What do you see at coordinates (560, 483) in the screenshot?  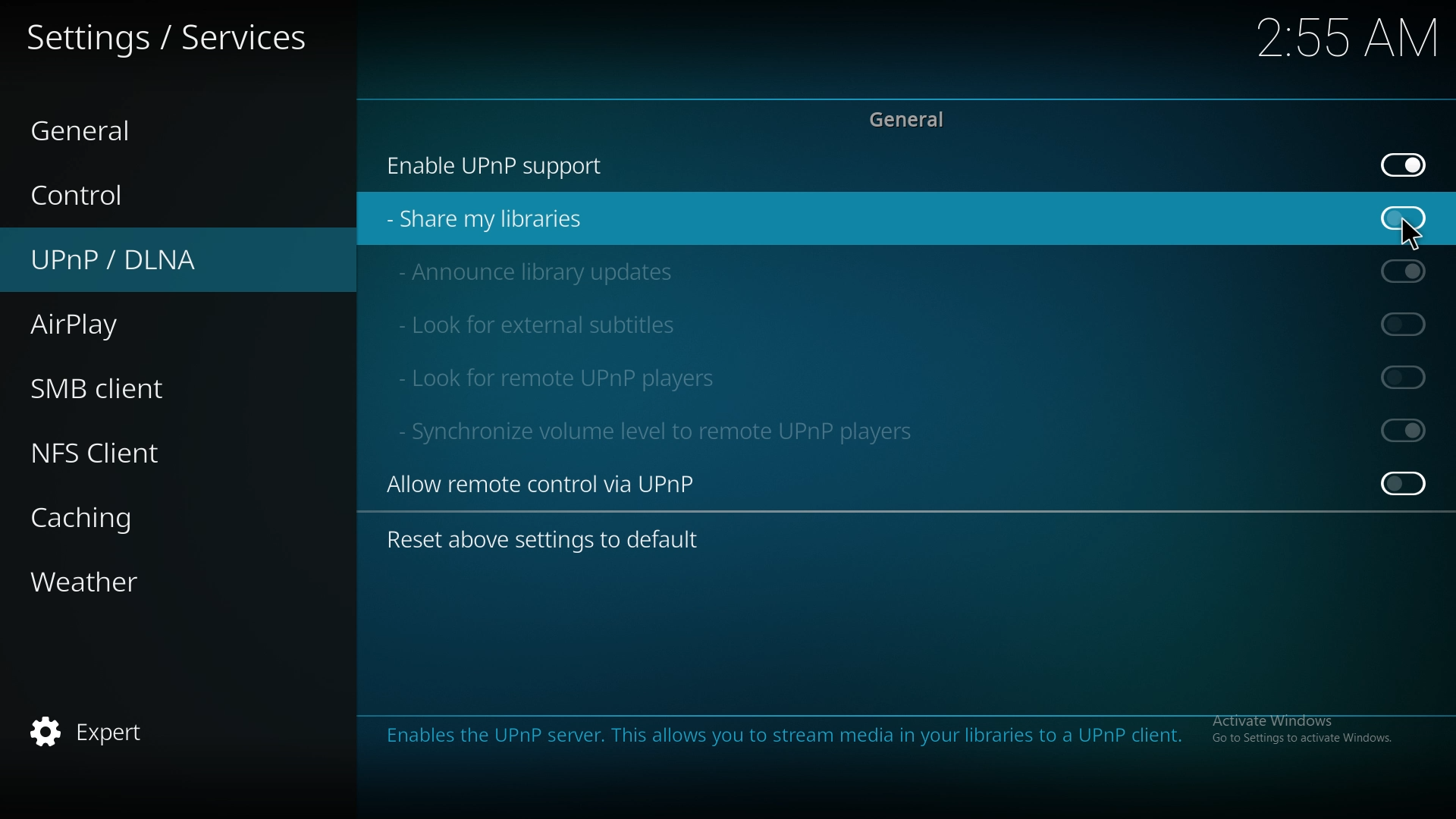 I see `allow remote control via upnp` at bounding box center [560, 483].